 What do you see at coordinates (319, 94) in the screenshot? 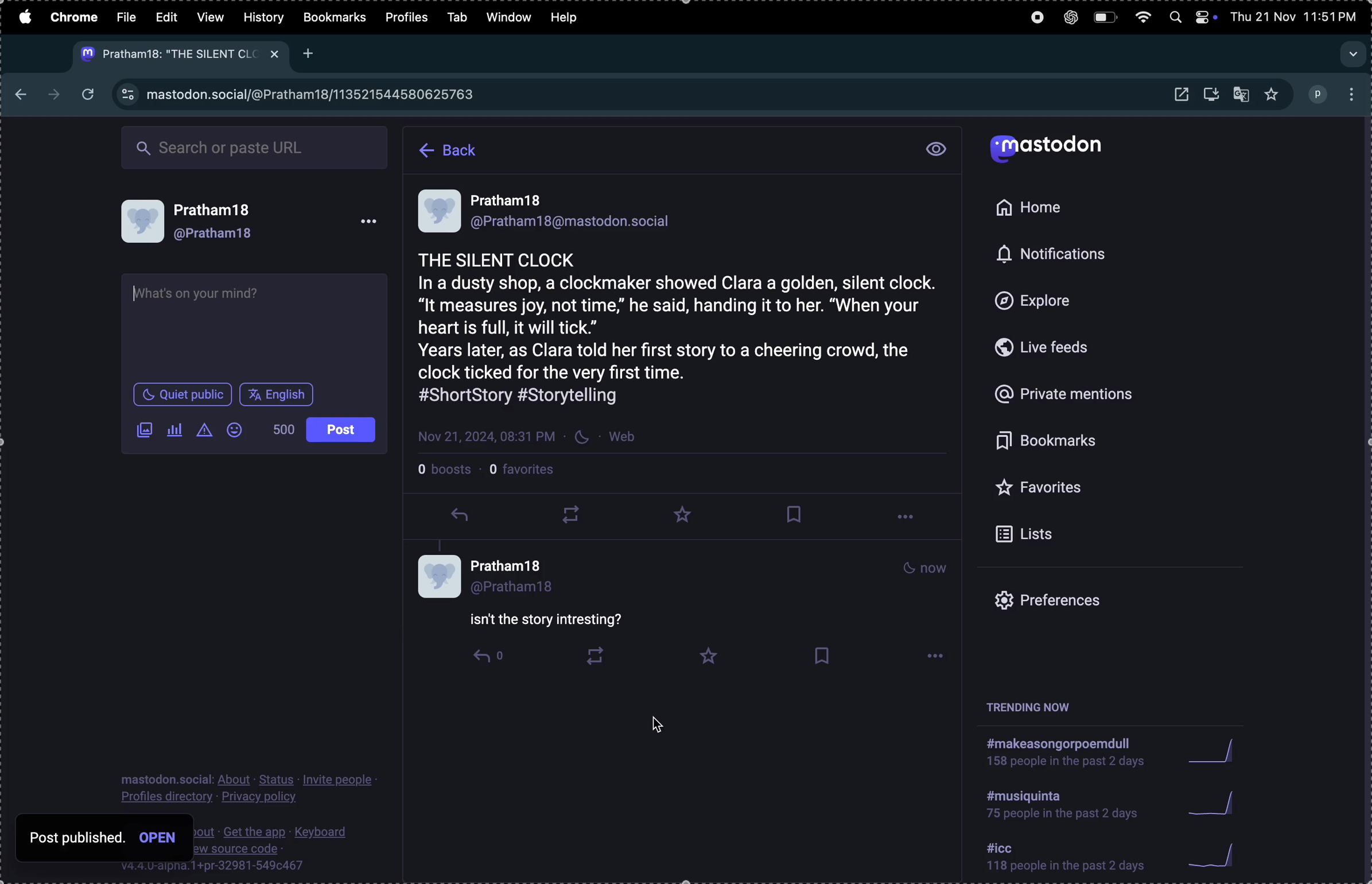
I see `mastodon url` at bounding box center [319, 94].